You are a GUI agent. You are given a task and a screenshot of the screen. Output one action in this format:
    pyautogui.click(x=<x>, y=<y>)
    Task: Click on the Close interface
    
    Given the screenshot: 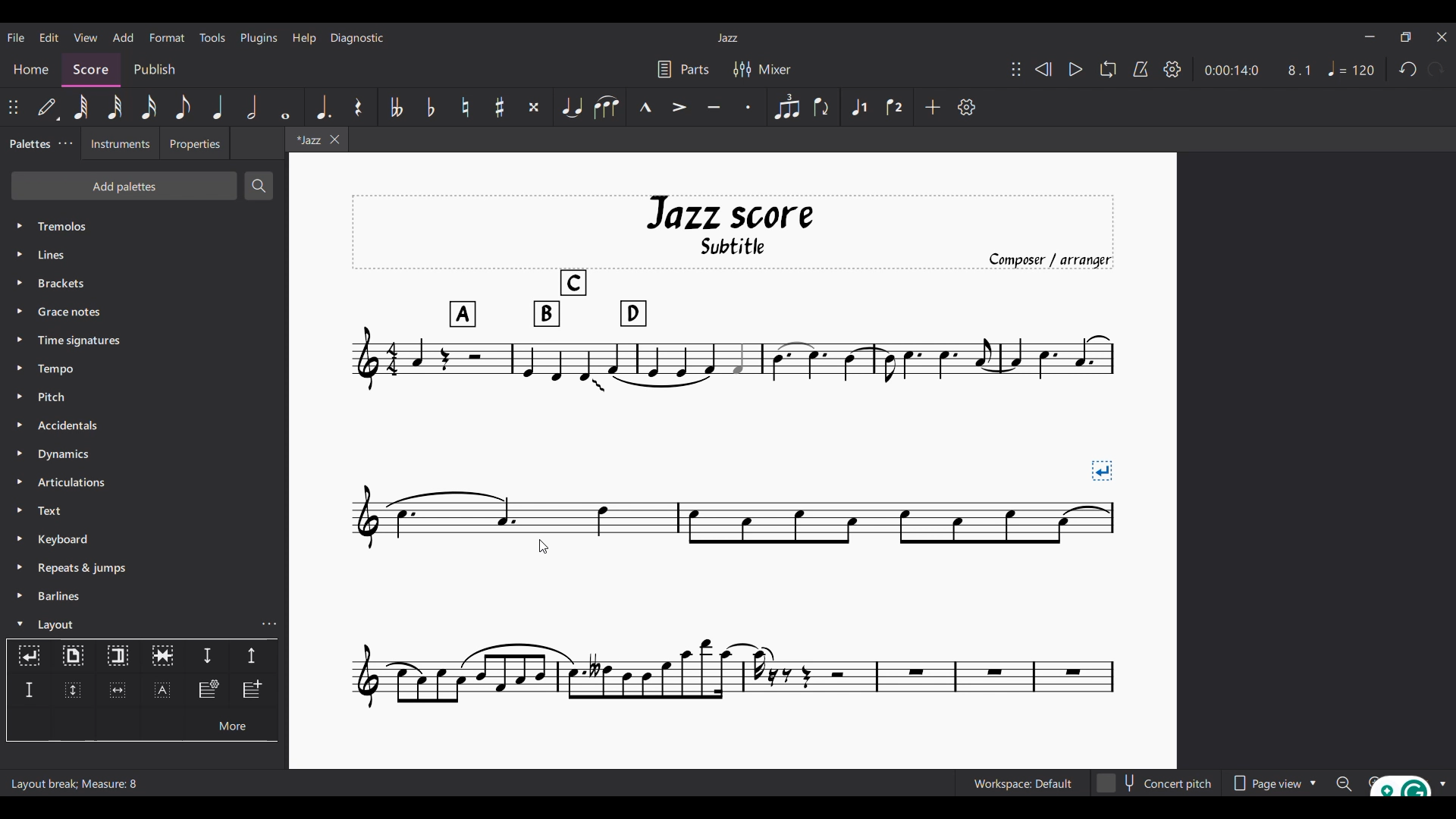 What is the action you would take?
    pyautogui.click(x=1442, y=37)
    